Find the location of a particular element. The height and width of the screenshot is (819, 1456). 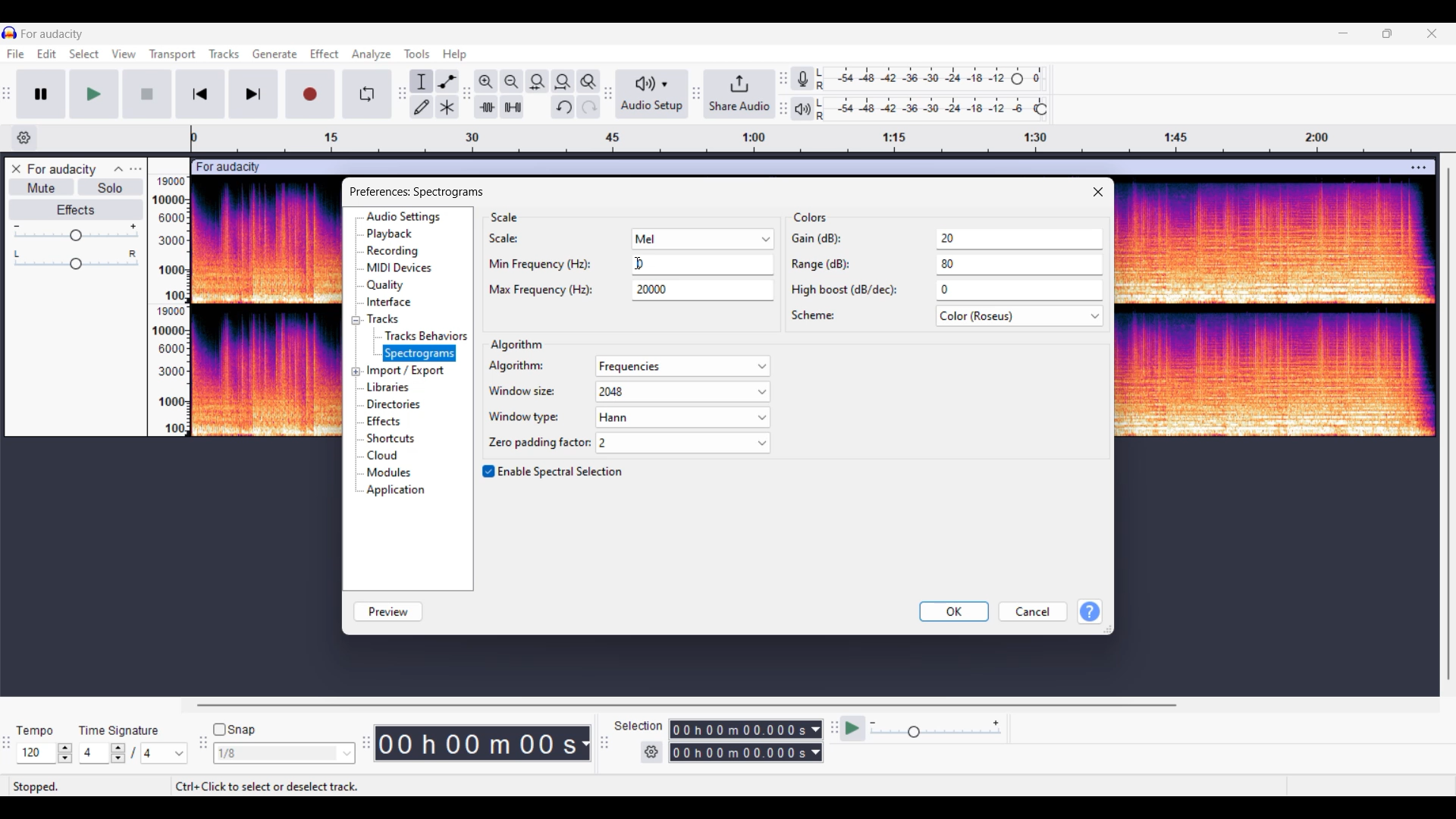

Generate menu is located at coordinates (275, 54).